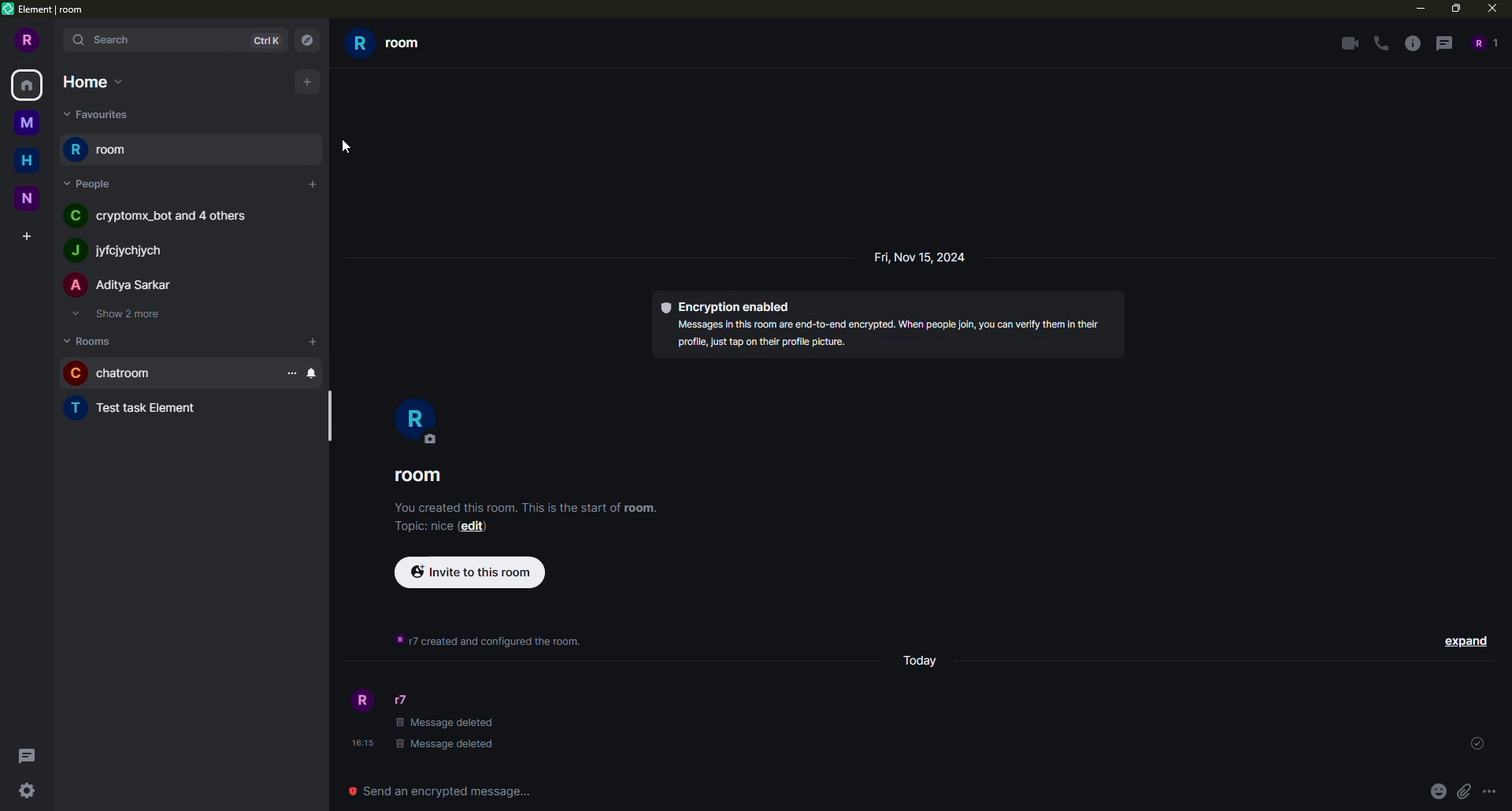  I want to click on search, so click(105, 41).